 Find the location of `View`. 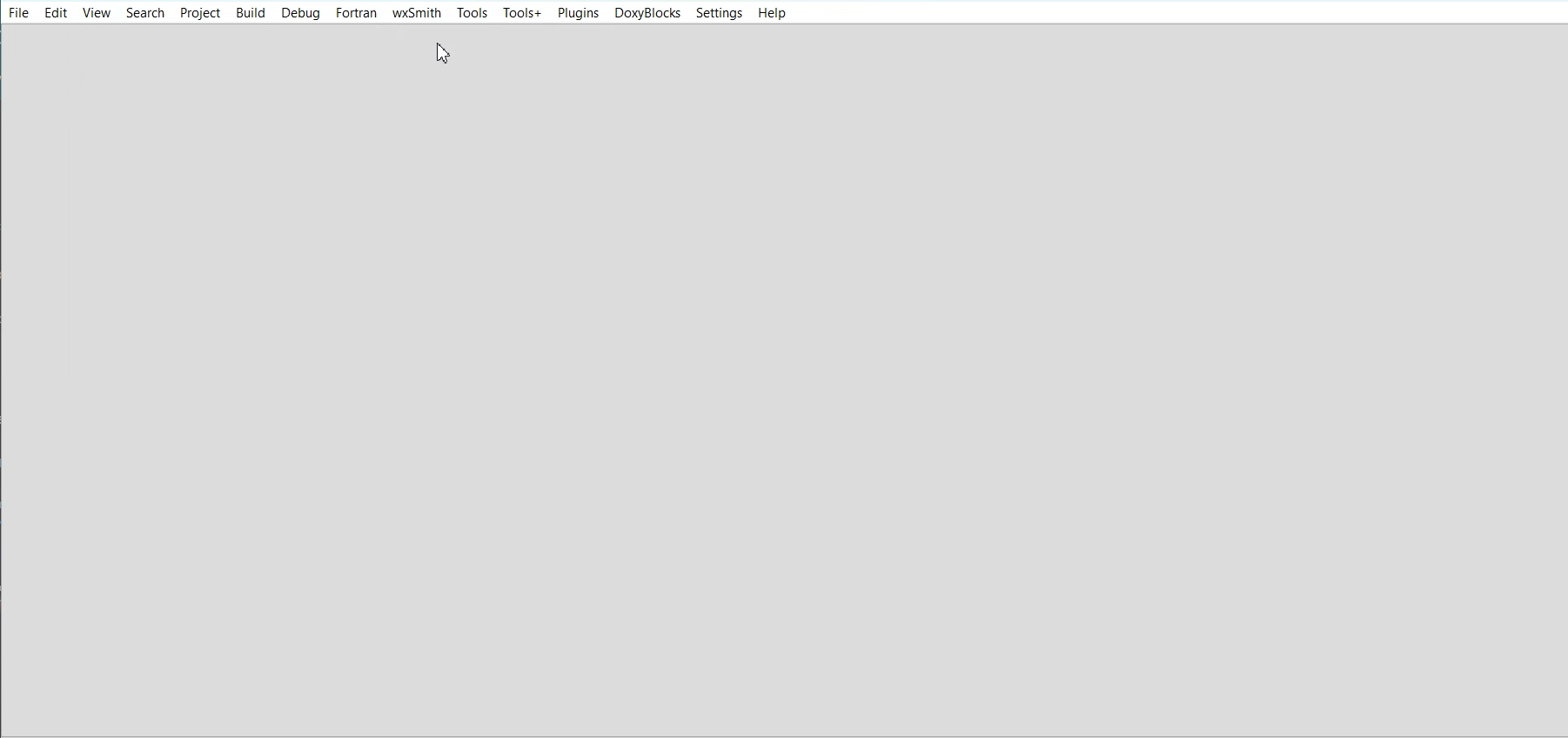

View is located at coordinates (97, 12).